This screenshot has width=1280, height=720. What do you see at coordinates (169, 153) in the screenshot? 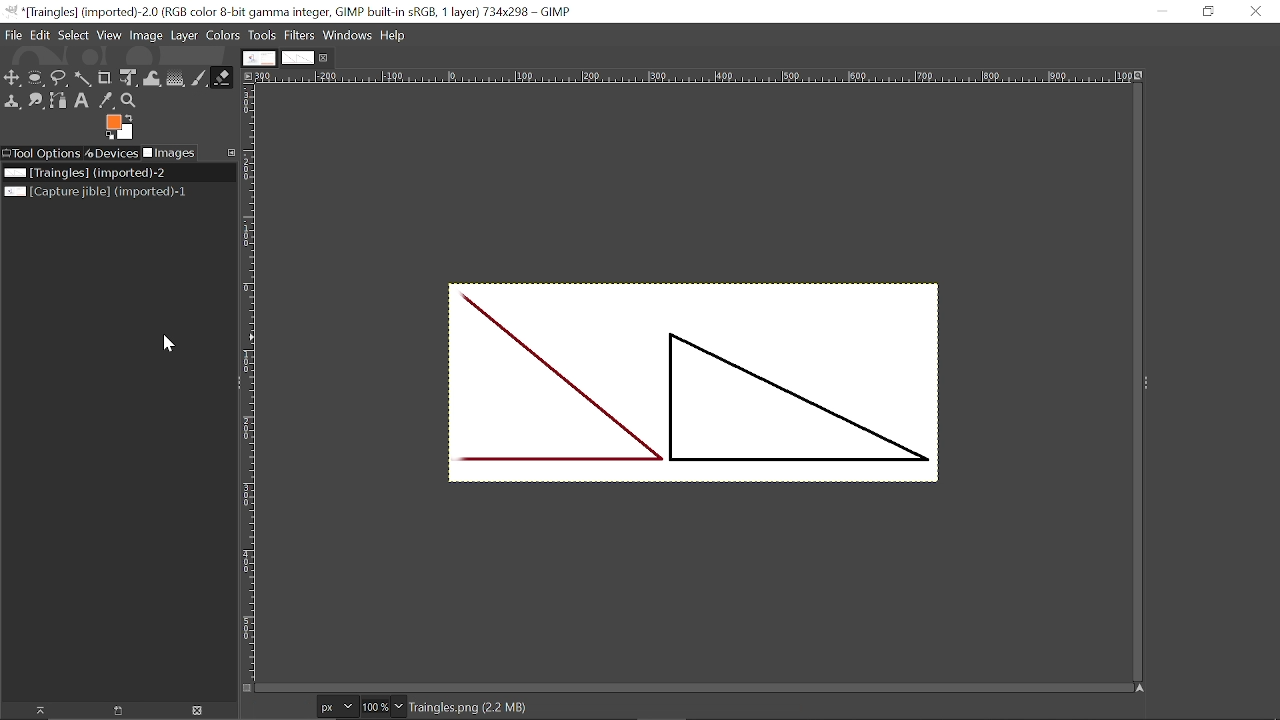
I see `Images` at bounding box center [169, 153].